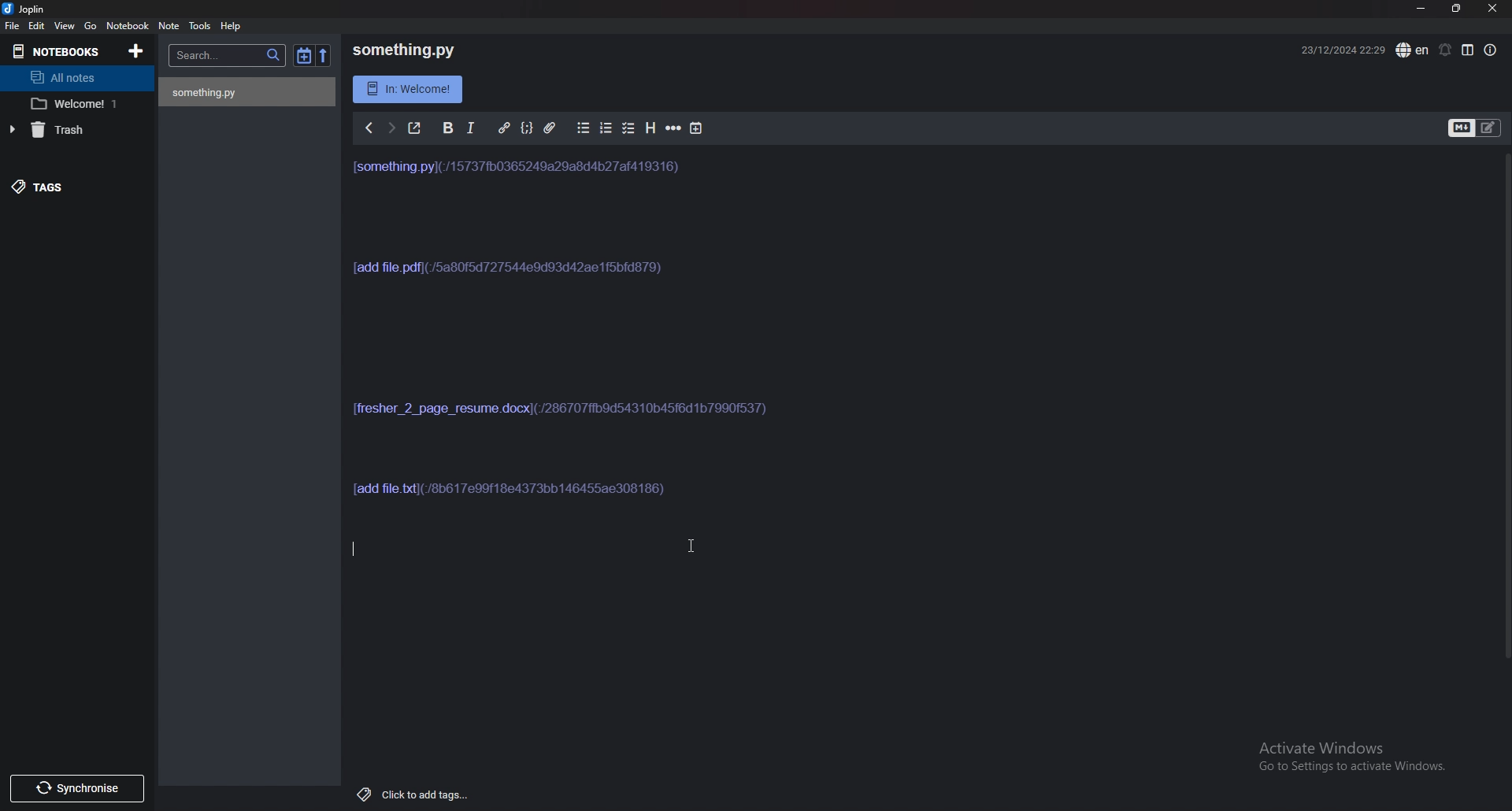  I want to click on joplin, so click(25, 8).